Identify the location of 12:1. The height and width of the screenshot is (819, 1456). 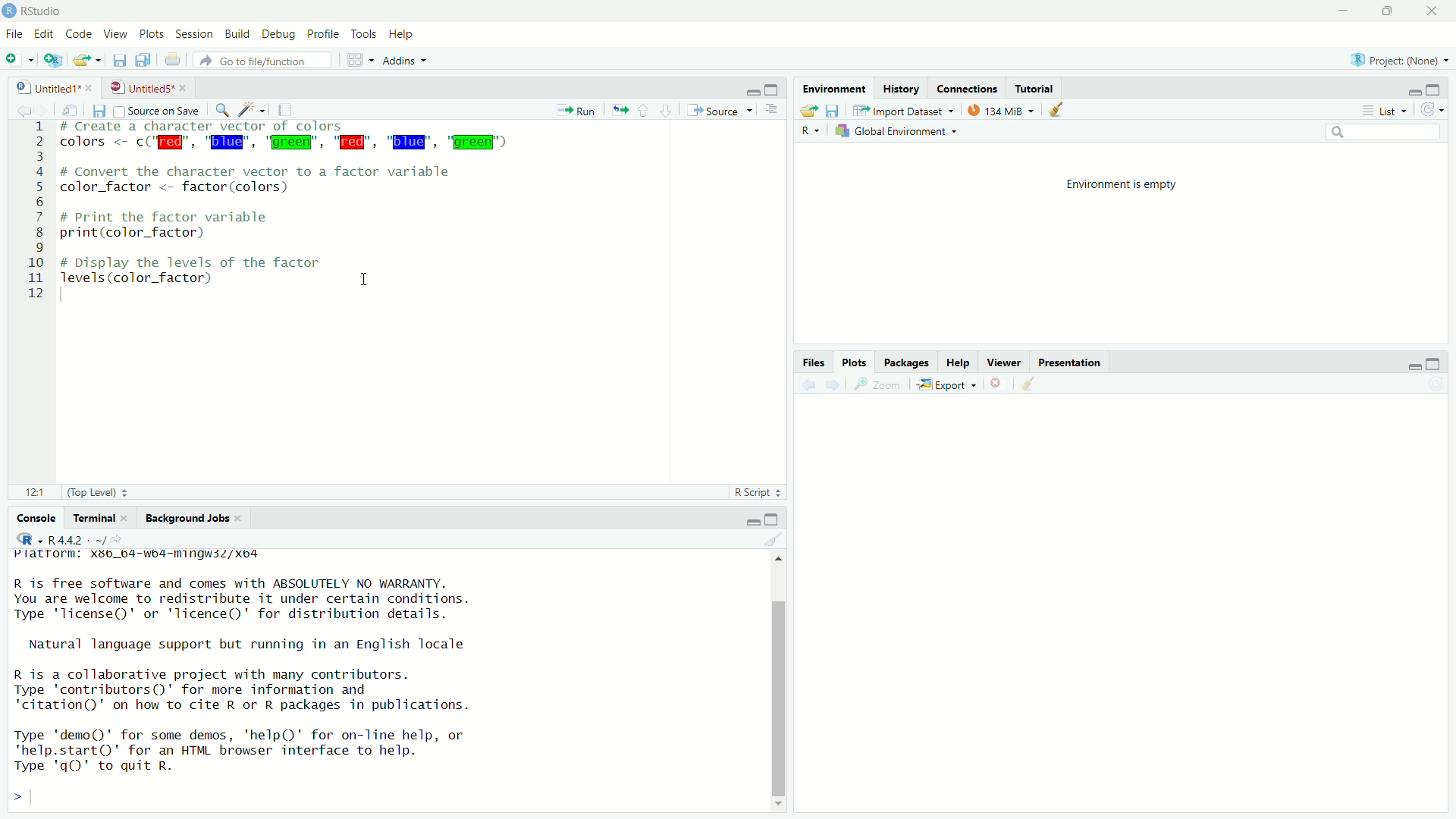
(30, 492).